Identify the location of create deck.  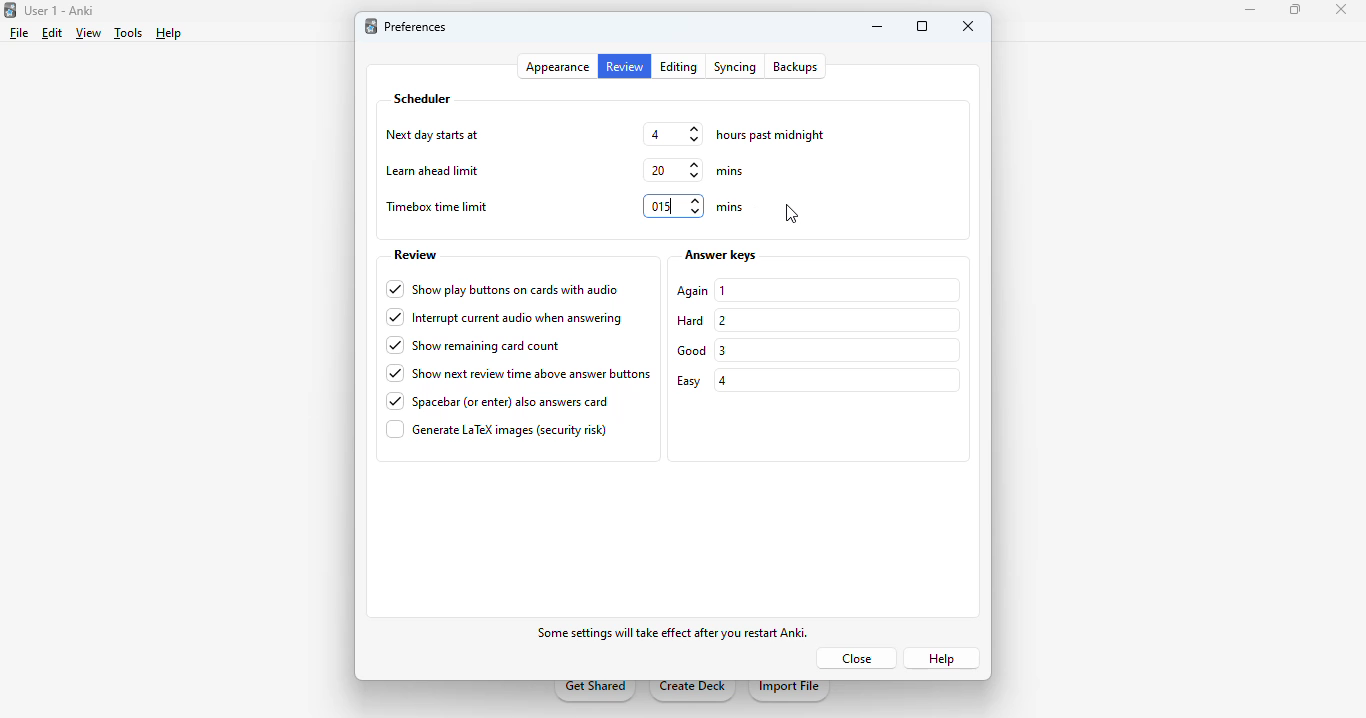
(693, 691).